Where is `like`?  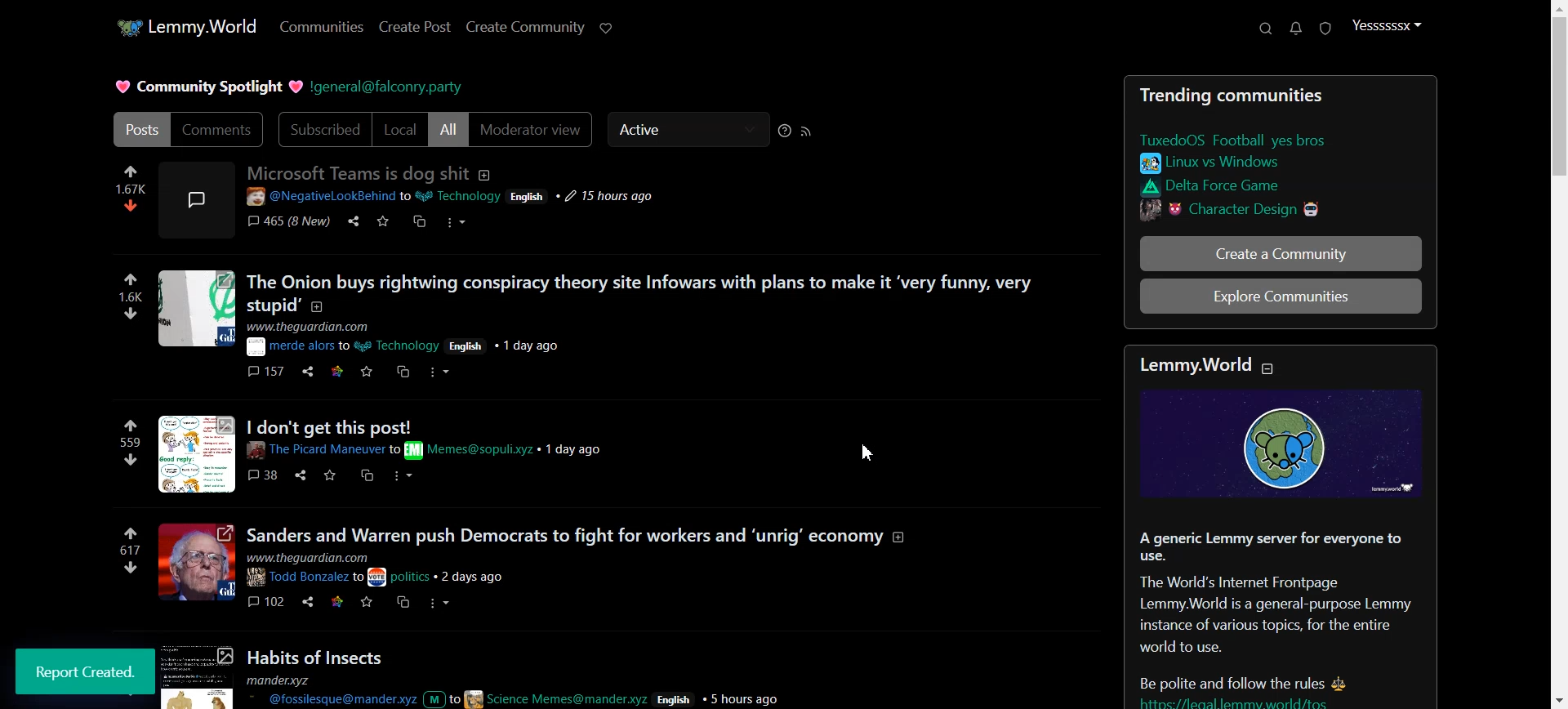 like is located at coordinates (131, 170).